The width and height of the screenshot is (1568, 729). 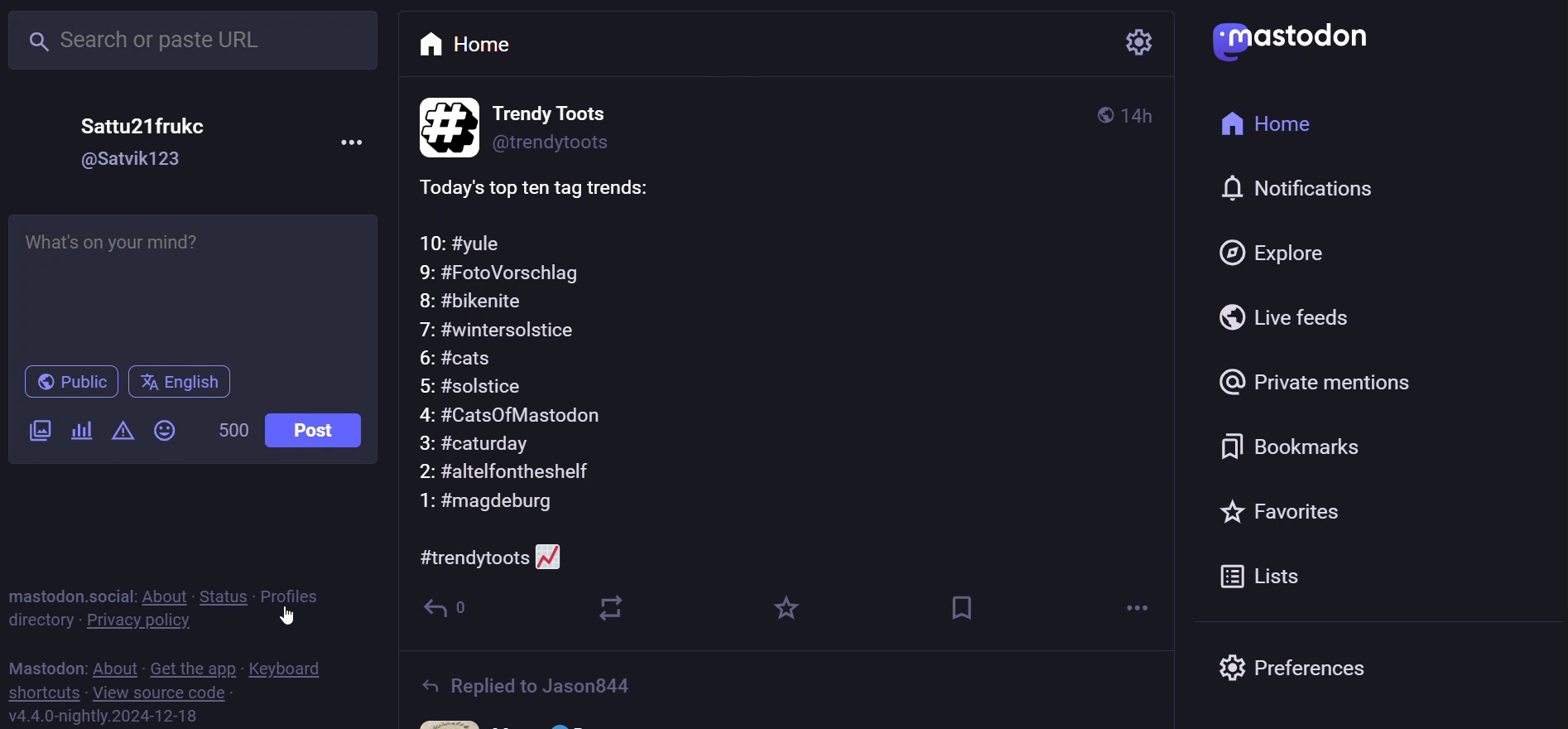 What do you see at coordinates (1285, 513) in the screenshot?
I see `favorites` at bounding box center [1285, 513].